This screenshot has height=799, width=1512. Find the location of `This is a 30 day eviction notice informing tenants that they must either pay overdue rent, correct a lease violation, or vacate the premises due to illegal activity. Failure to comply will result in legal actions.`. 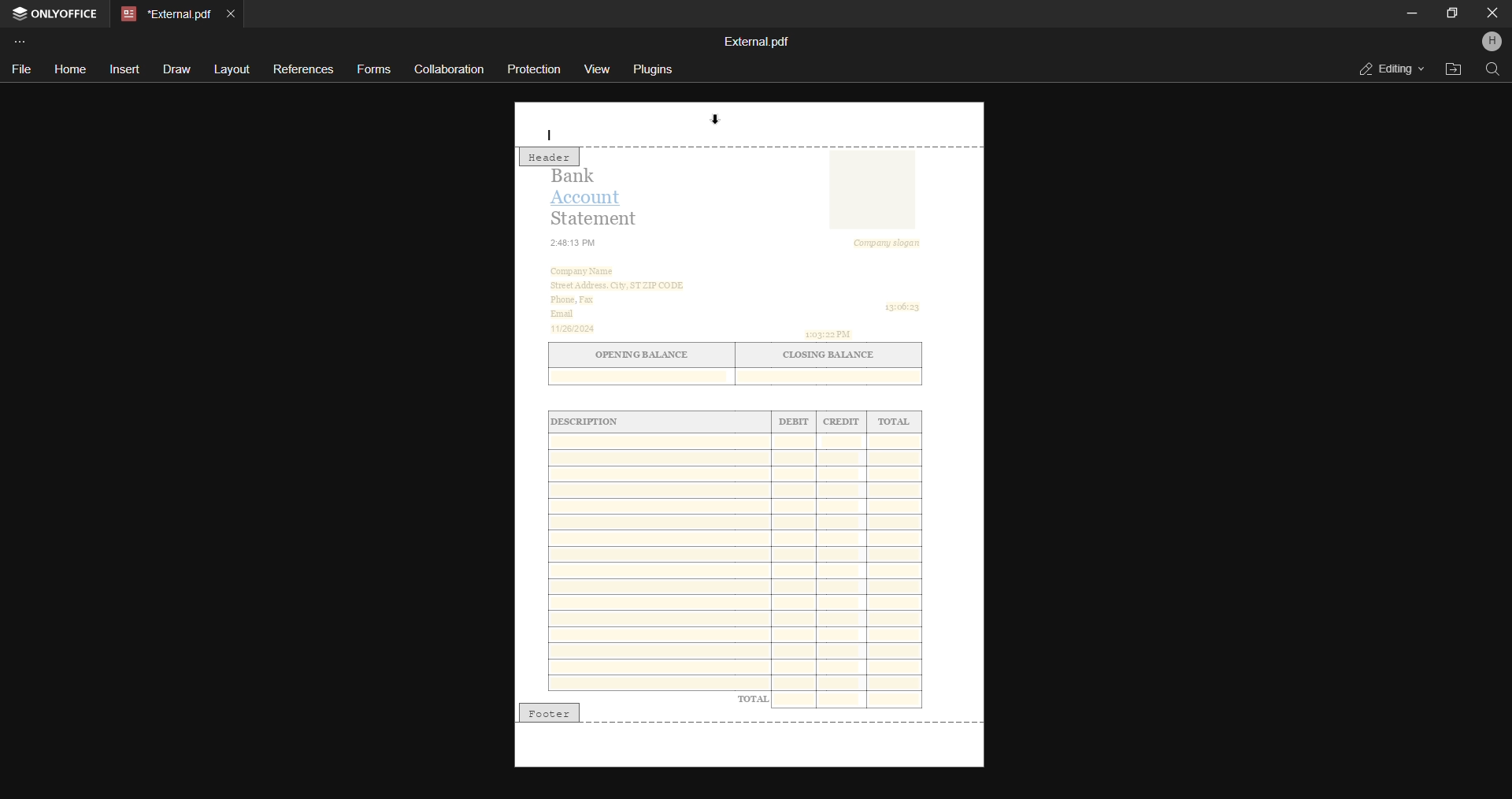

This is a 30 day eviction notice informing tenants that they must either pay overdue rent, correct a lease violation, or vacate the premises due to illegal activity. Failure to comply will result in legal actions. is located at coordinates (752, 426).